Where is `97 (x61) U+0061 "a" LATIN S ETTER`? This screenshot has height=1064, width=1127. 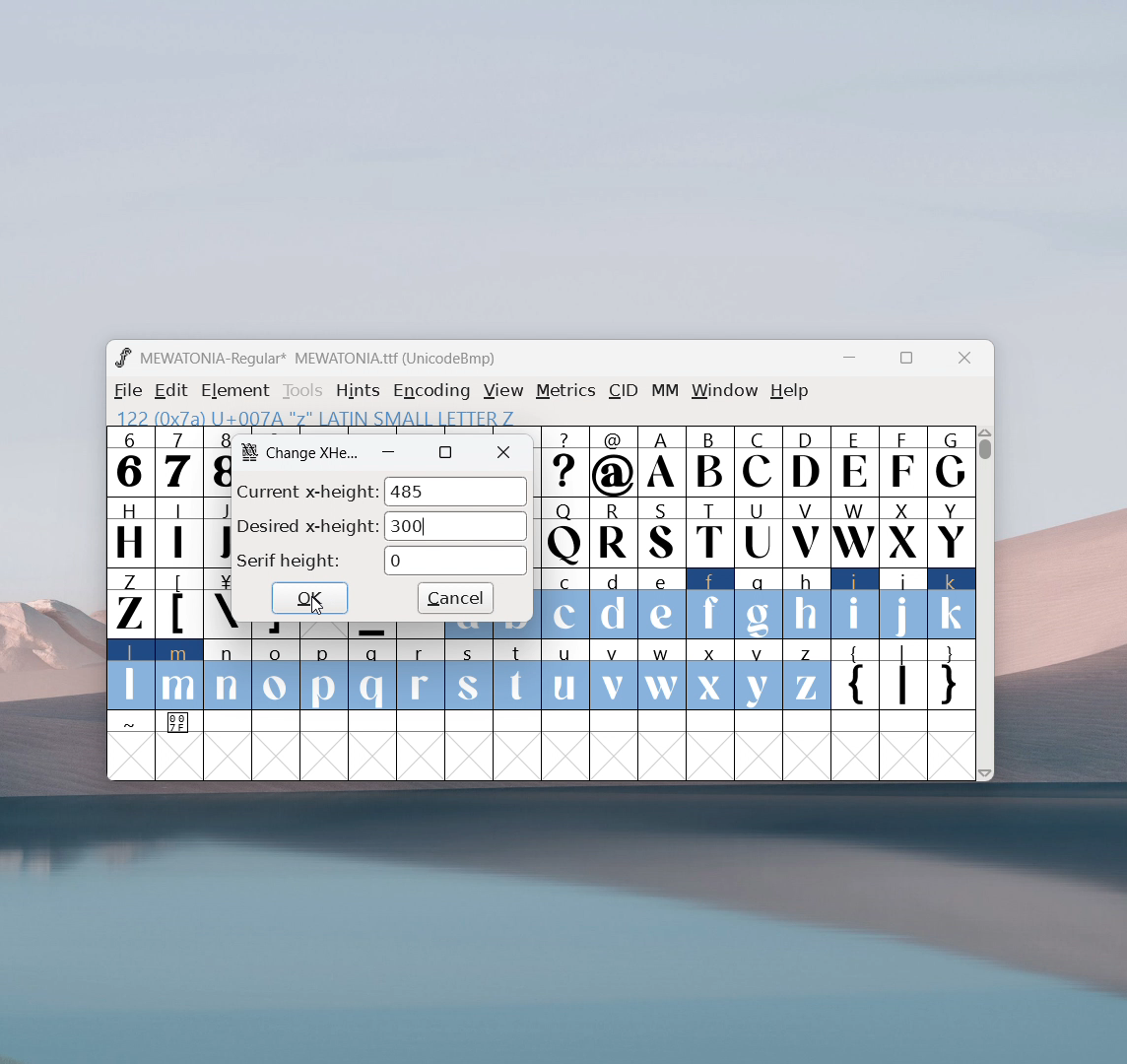
97 (x61) U+0061 "a" LATIN S ETTER is located at coordinates (310, 416).